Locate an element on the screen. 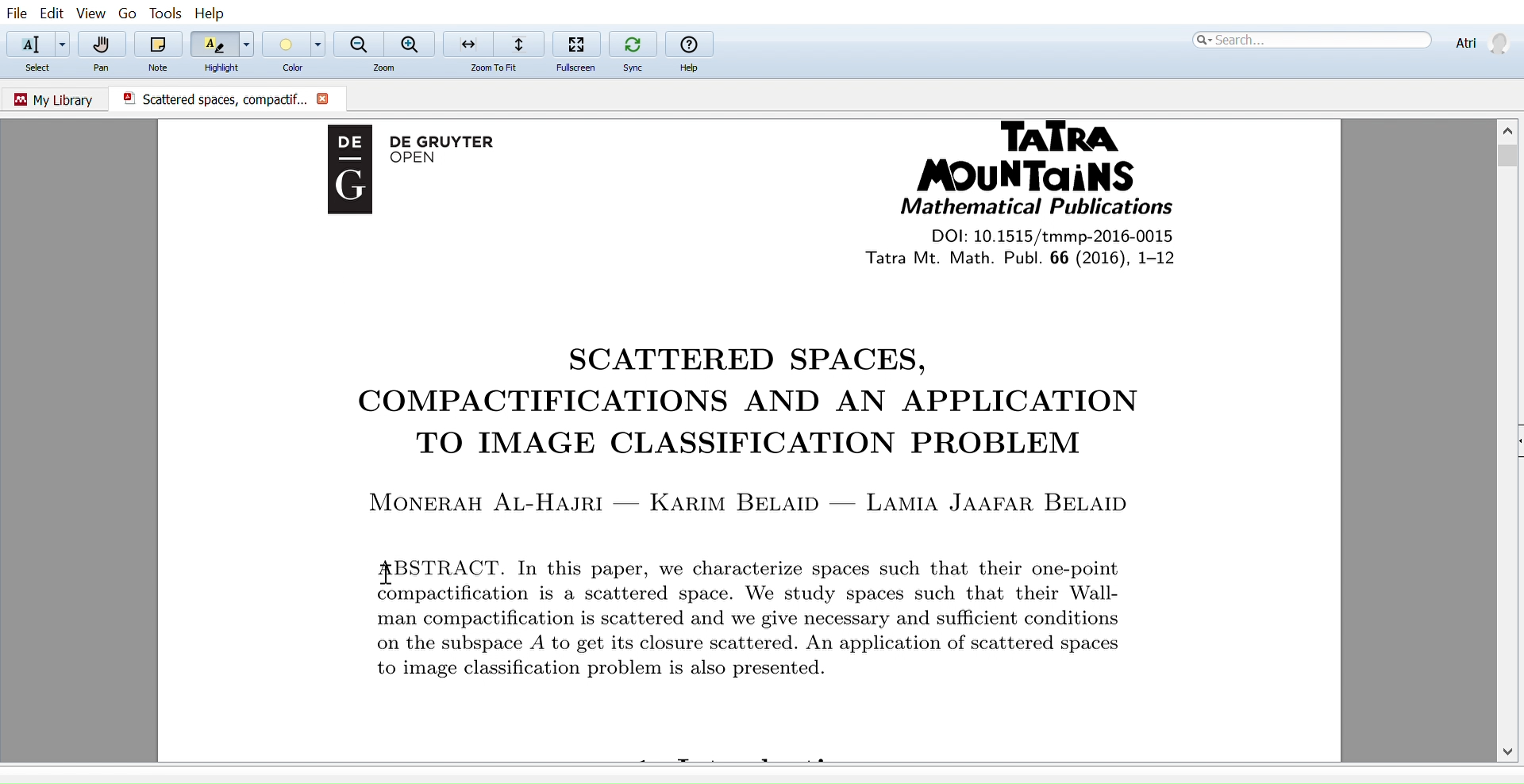 This screenshot has height=784, width=1524. Tatra Mountains is located at coordinates (1045, 157).